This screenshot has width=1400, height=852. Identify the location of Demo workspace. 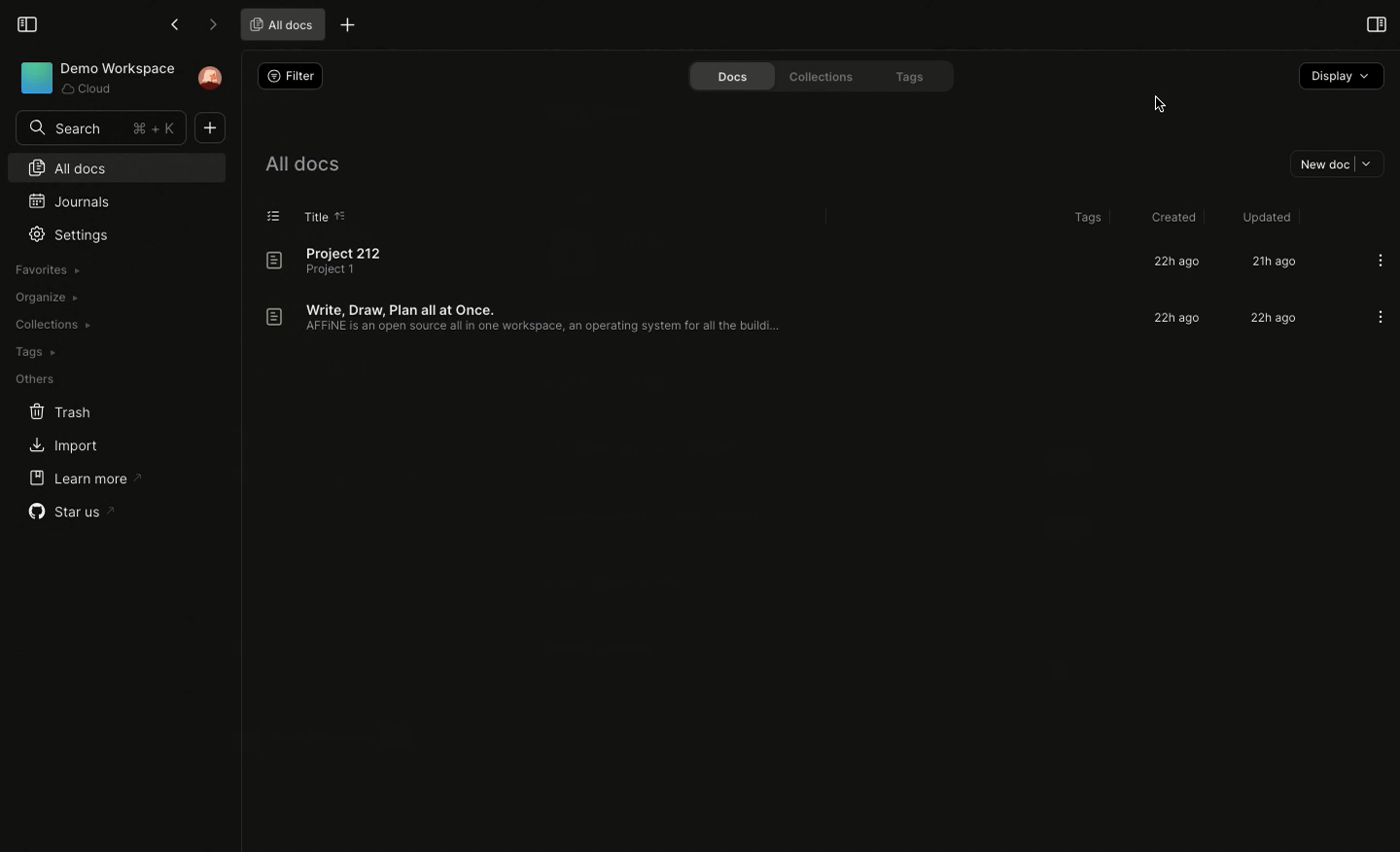
(96, 79).